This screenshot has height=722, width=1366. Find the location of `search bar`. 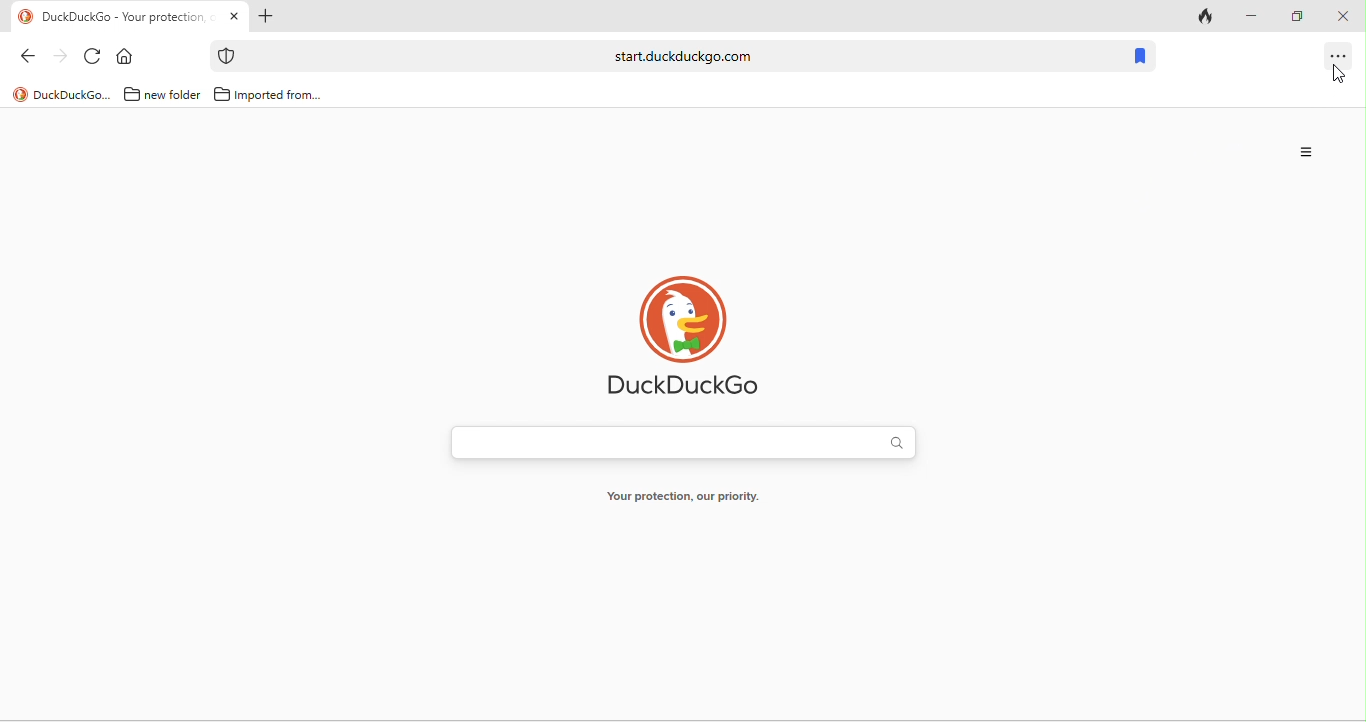

search bar is located at coordinates (677, 56).